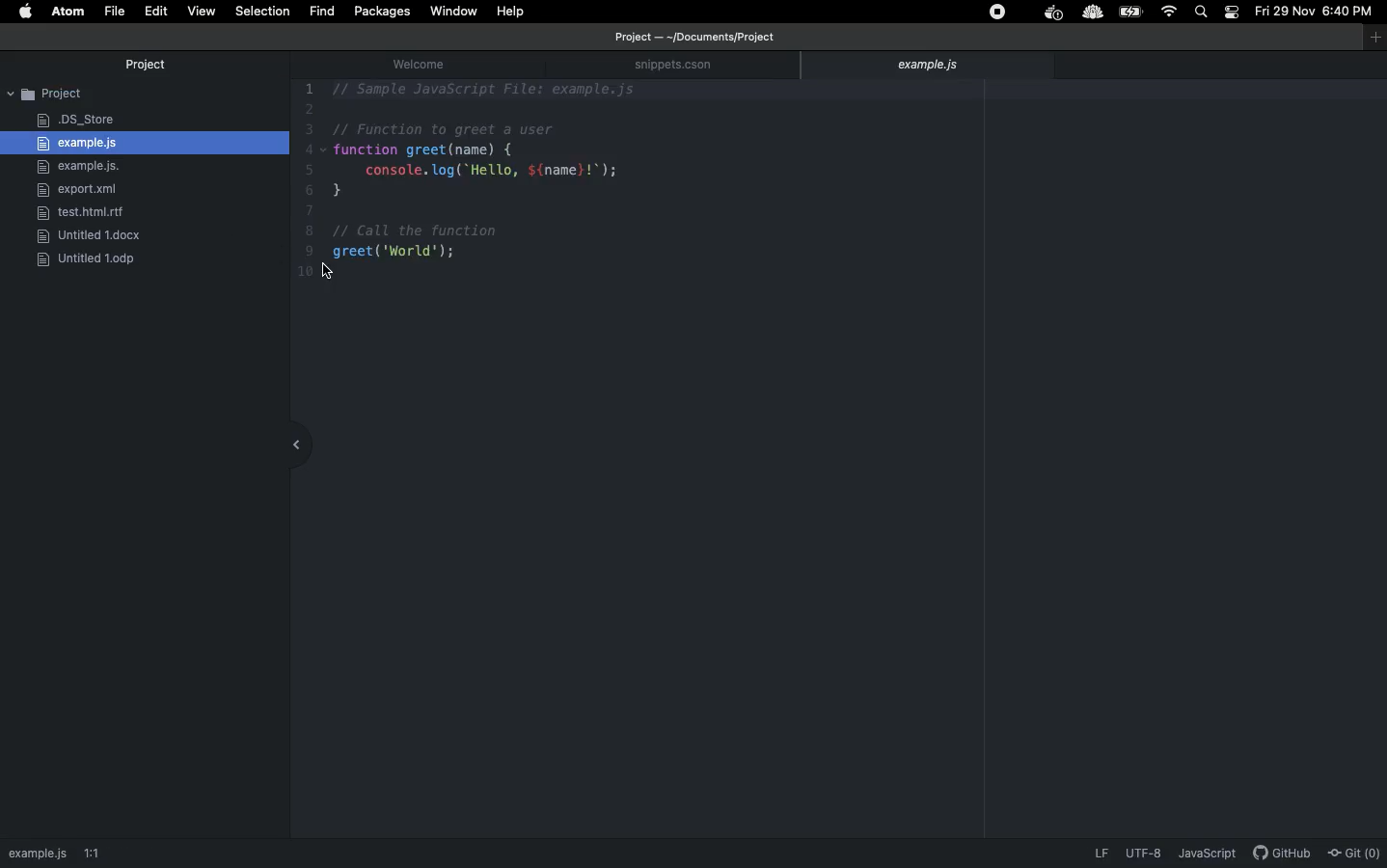 This screenshot has height=868, width=1387. What do you see at coordinates (106, 852) in the screenshot?
I see `1:1` at bounding box center [106, 852].